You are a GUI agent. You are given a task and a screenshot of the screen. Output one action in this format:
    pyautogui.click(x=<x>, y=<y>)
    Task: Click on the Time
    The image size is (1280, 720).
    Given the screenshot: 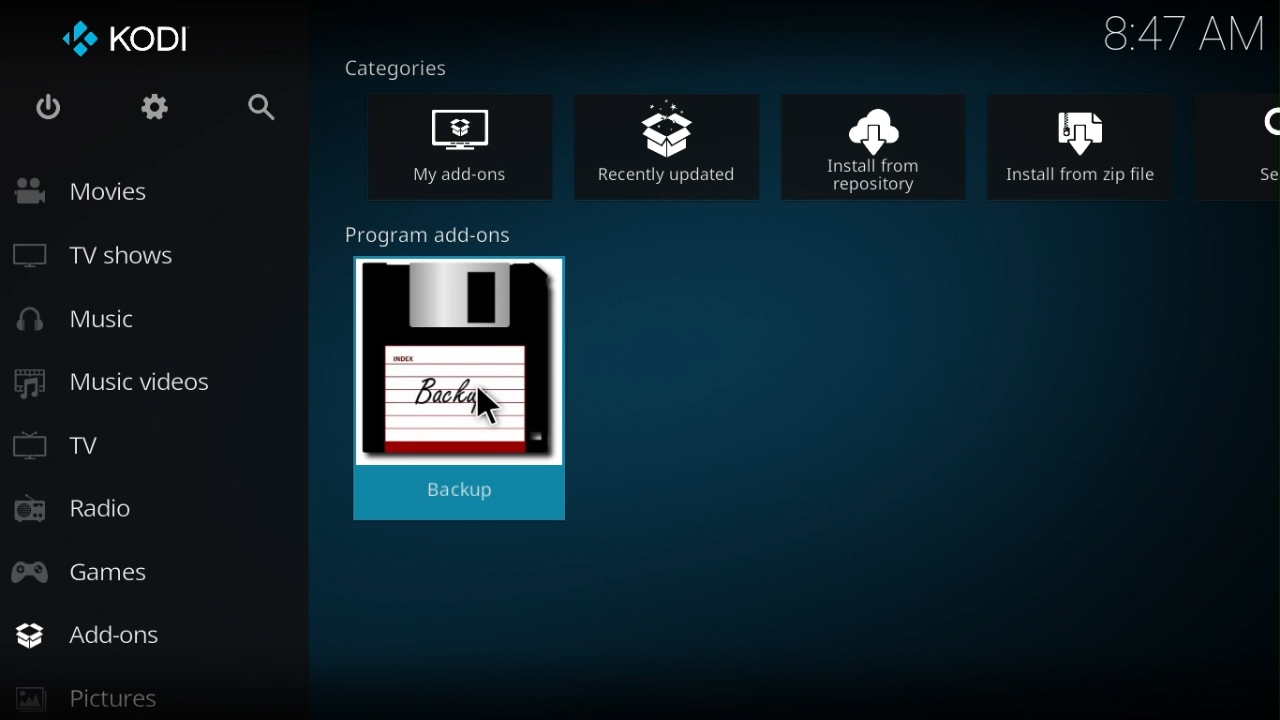 What is the action you would take?
    pyautogui.click(x=1183, y=36)
    